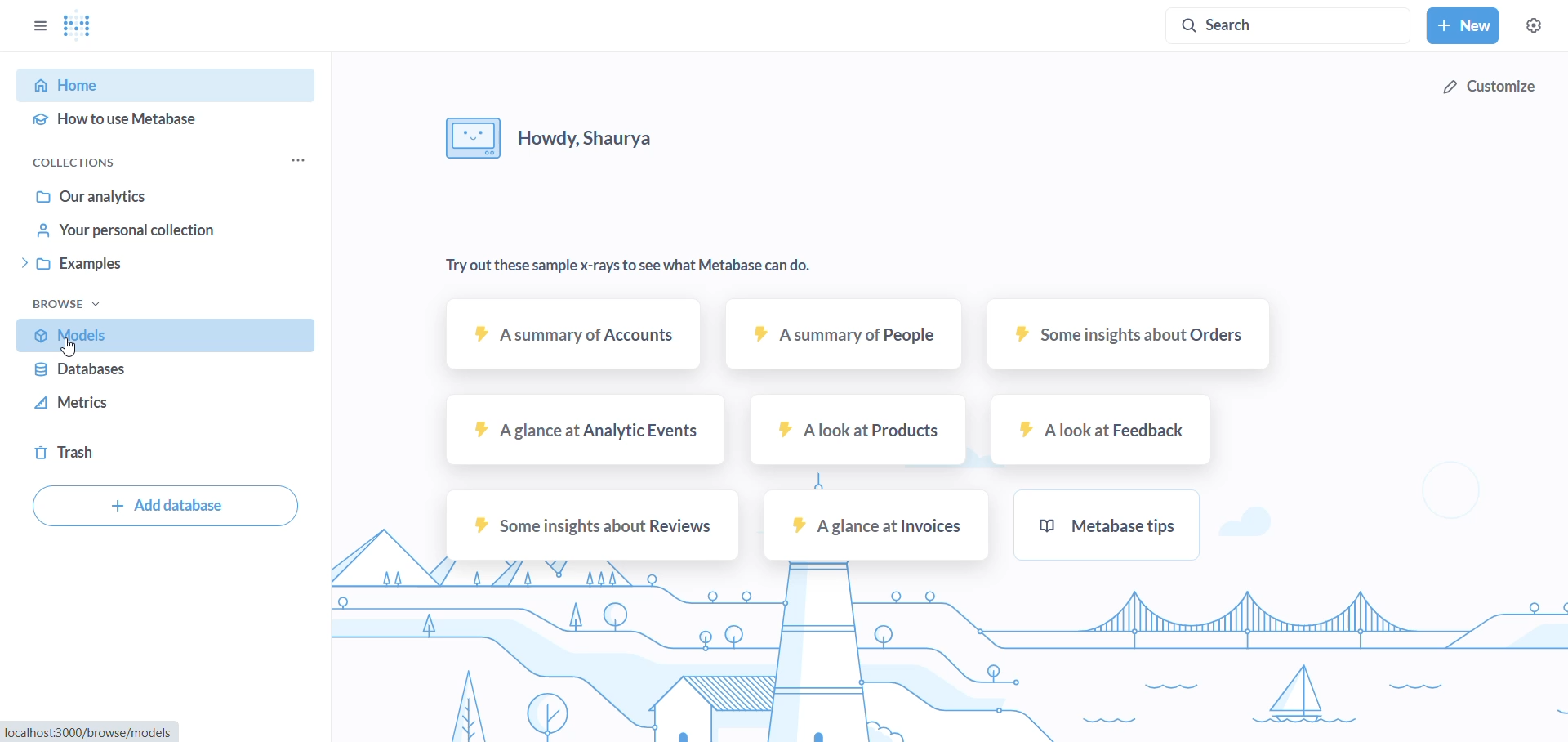 The image size is (1568, 742). I want to click on Search button, so click(1288, 25).